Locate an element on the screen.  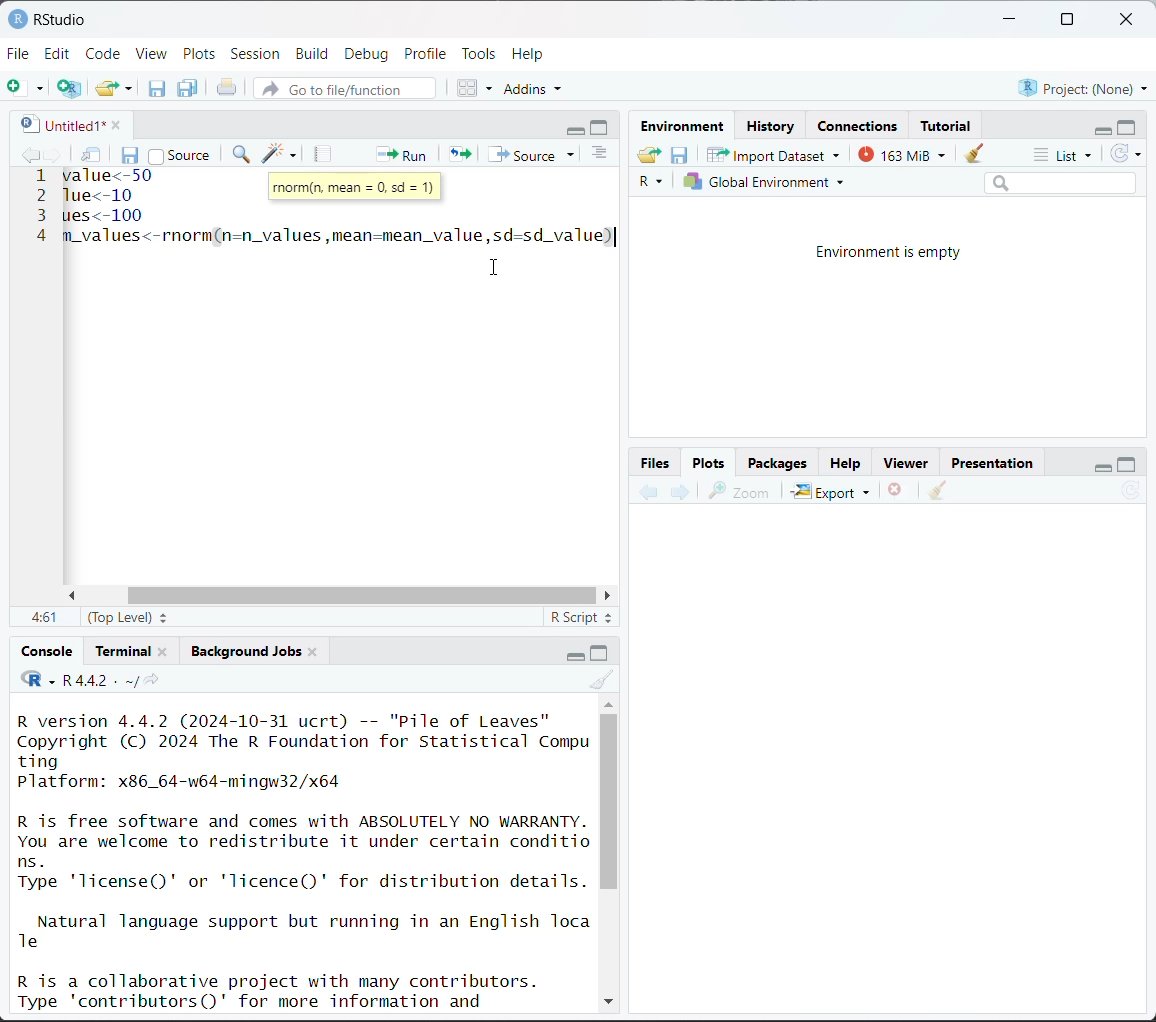
Global environment is located at coordinates (765, 182).